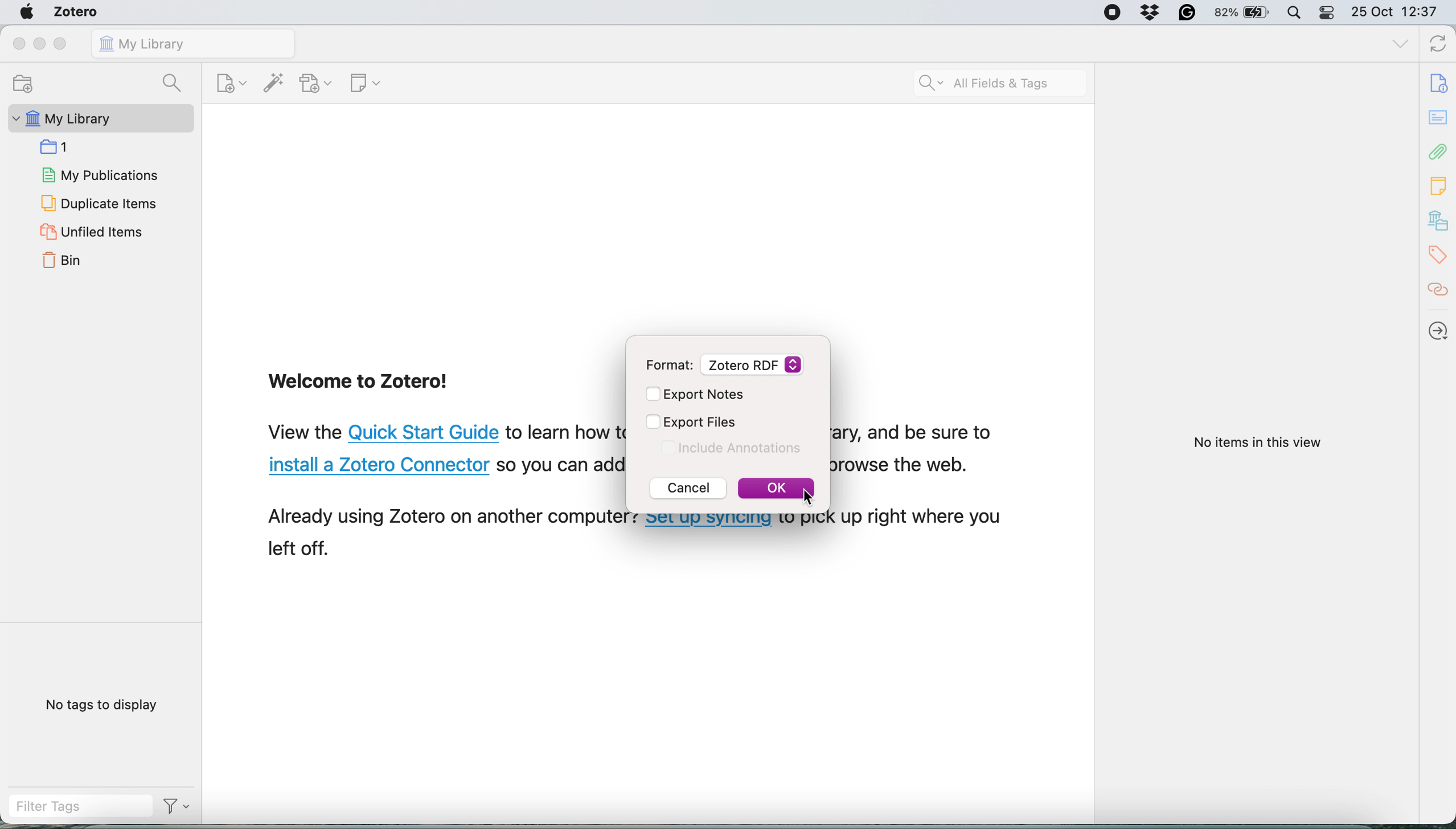 This screenshot has height=829, width=1456. I want to click on Screen Recorder, so click(1110, 12).